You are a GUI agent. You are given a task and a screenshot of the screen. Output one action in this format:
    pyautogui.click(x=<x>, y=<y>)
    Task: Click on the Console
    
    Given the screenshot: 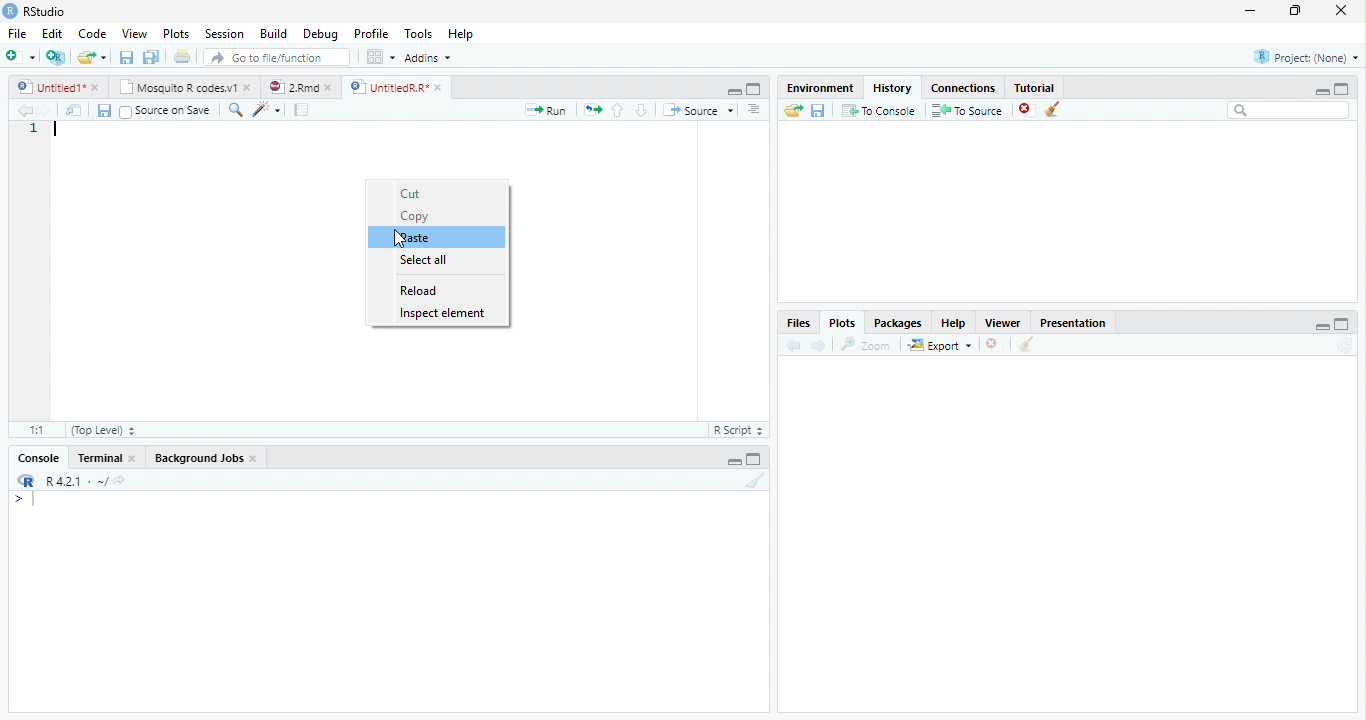 What is the action you would take?
    pyautogui.click(x=38, y=459)
    